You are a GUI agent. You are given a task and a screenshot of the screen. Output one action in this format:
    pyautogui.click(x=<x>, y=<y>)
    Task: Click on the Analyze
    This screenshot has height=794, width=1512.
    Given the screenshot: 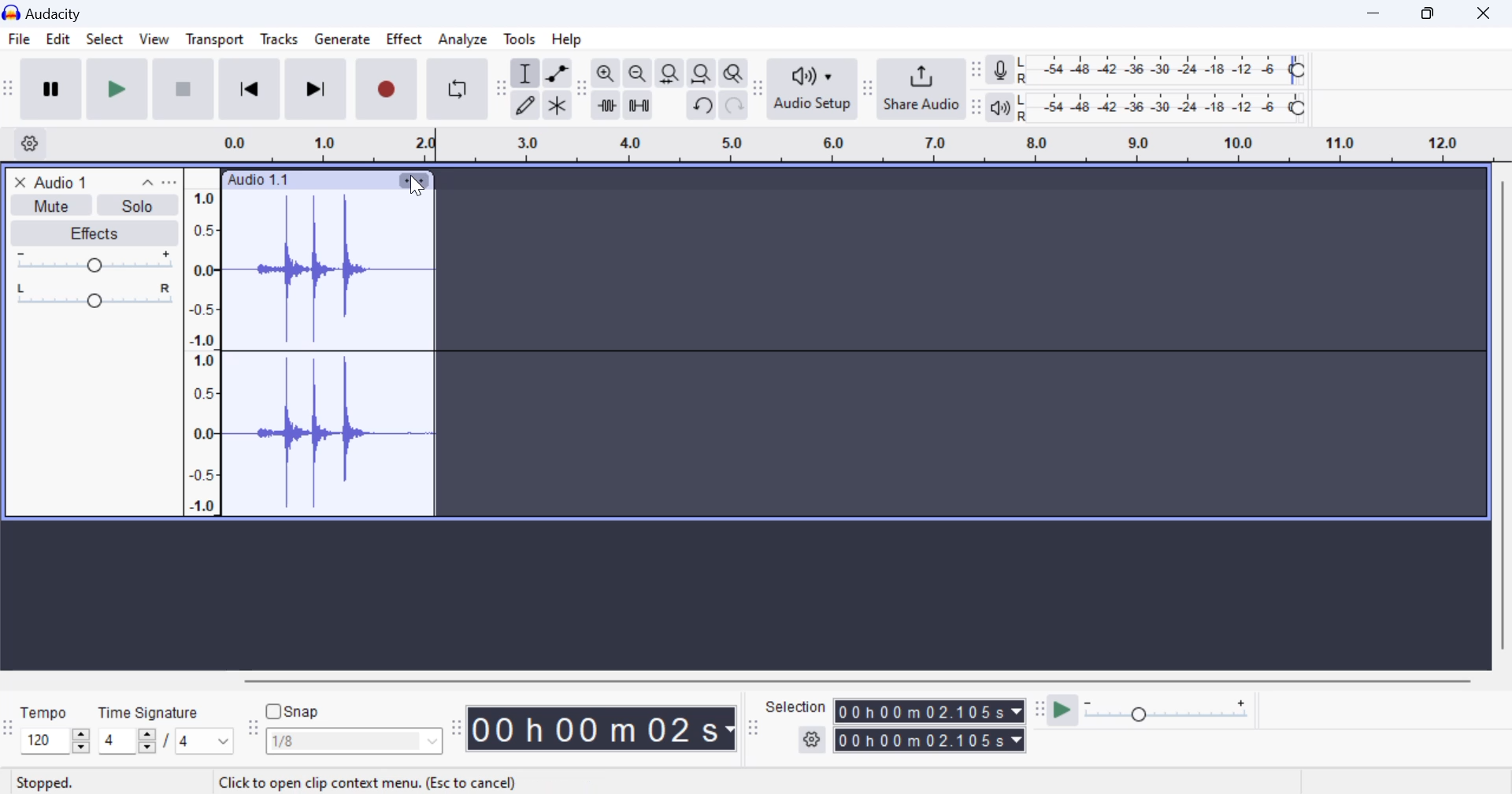 What is the action you would take?
    pyautogui.click(x=463, y=39)
    